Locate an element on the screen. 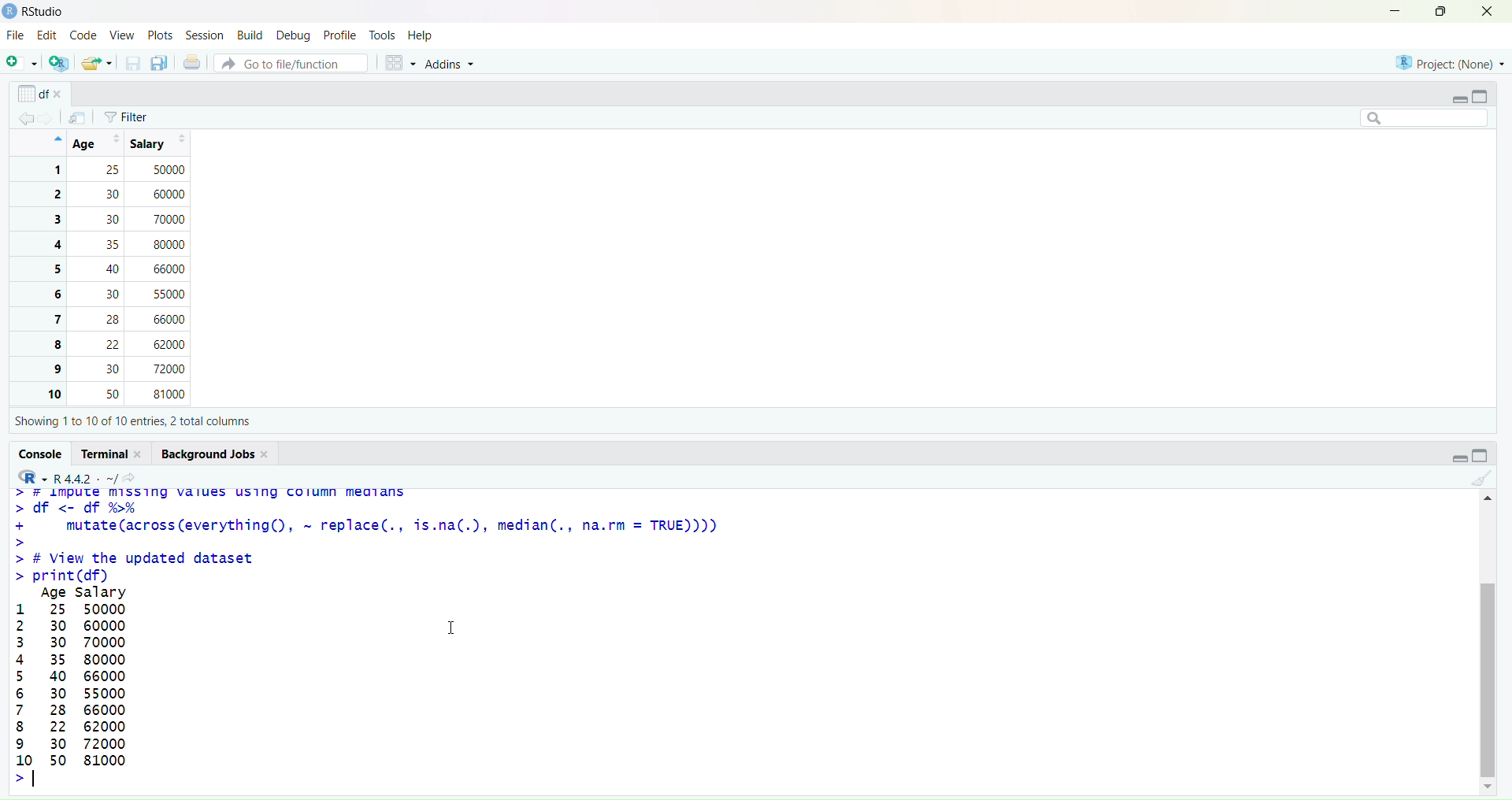 Image resolution: width=1512 pixels, height=800 pixels. > # Impute missing values using column medians
df <- df %% I
mutate (across (everything(), ~ replace(., is.na(.), median(., na.rm = TRUE))))
# View the updated dataset
print (df)| is located at coordinates (369, 535).